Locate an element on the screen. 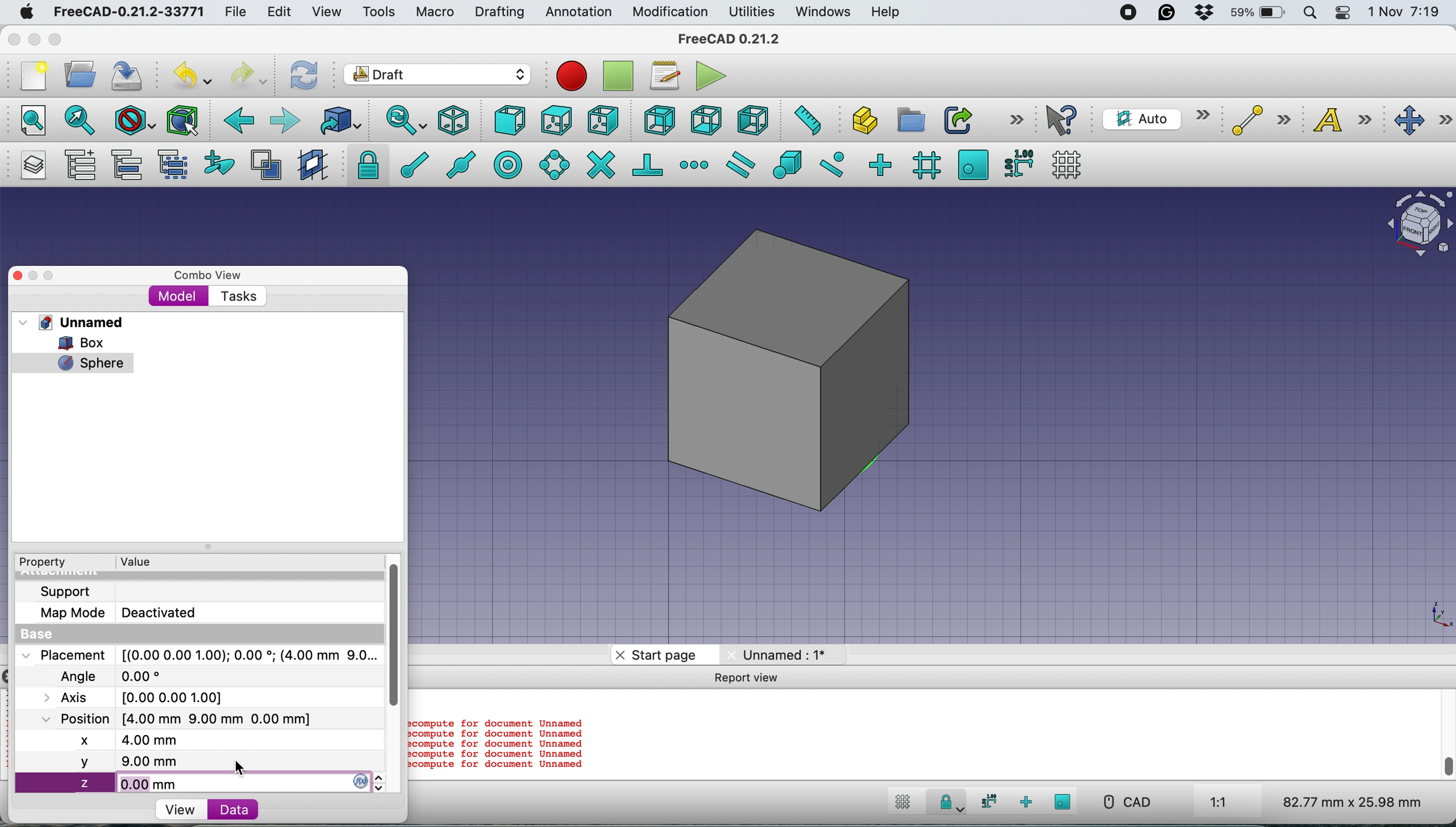 This screenshot has width=1456, height=827. manage layers is located at coordinates (30, 165).